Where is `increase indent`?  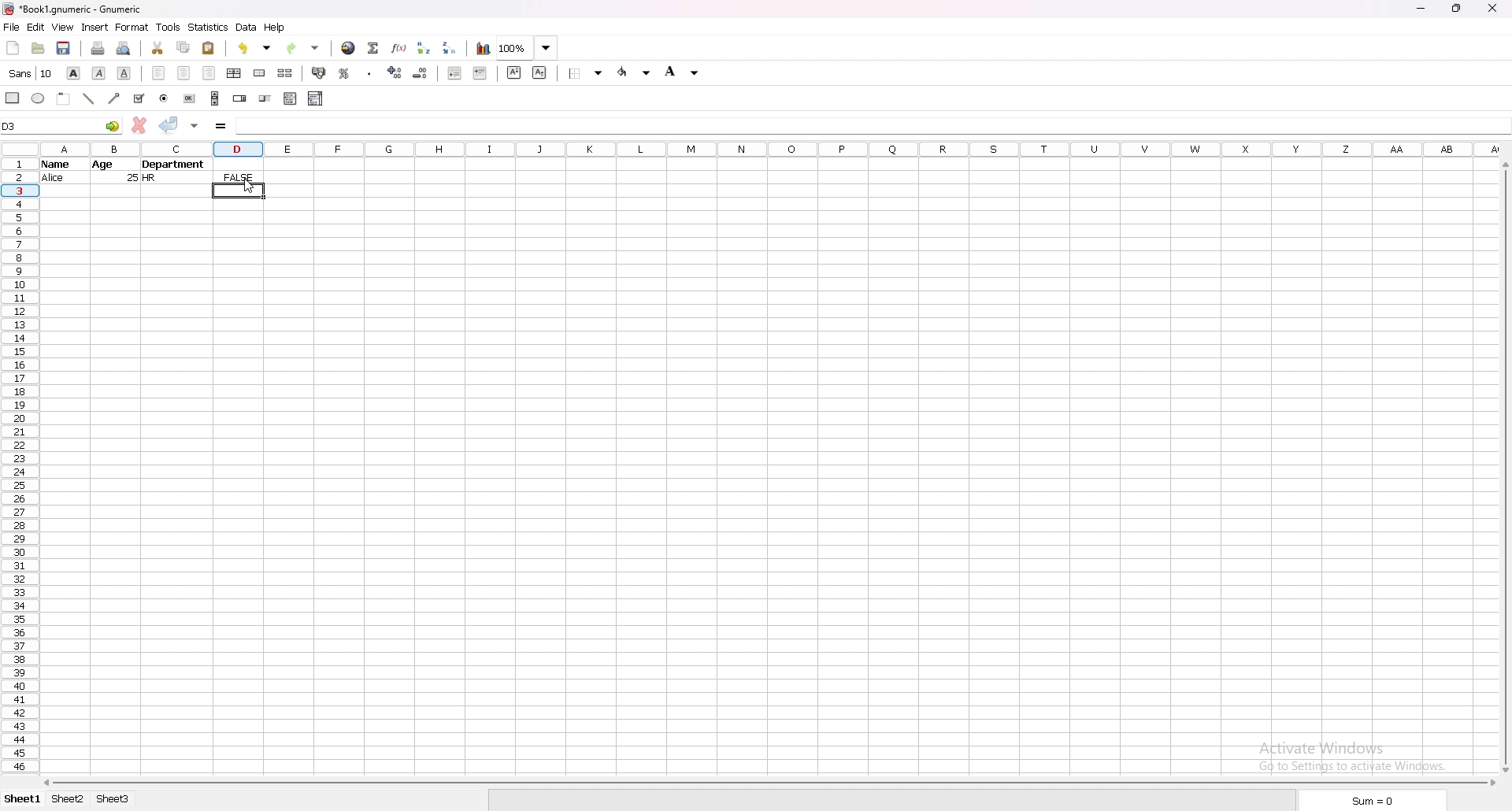
increase indent is located at coordinates (480, 72).